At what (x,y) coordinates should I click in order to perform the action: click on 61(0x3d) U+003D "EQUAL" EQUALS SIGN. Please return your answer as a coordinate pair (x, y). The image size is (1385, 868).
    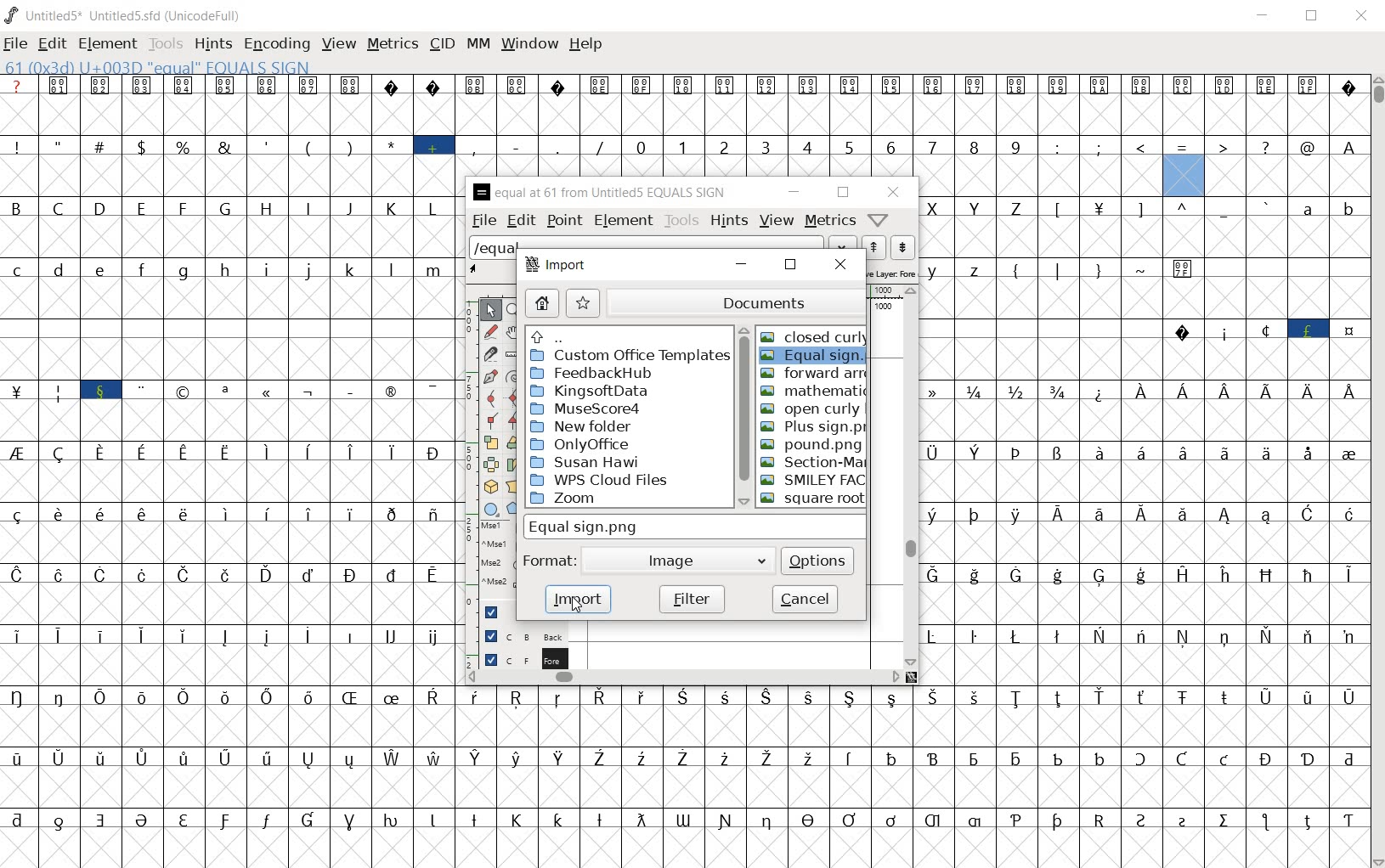
    Looking at the image, I should click on (1184, 169).